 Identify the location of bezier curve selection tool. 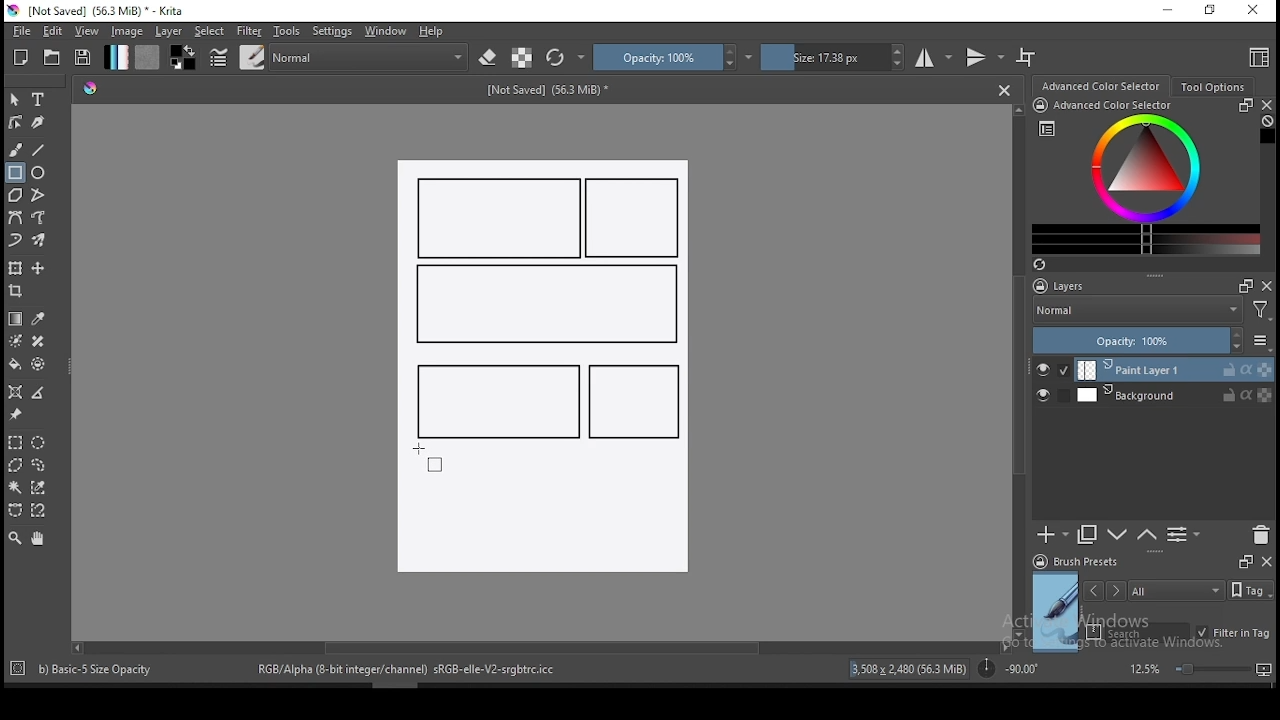
(15, 511).